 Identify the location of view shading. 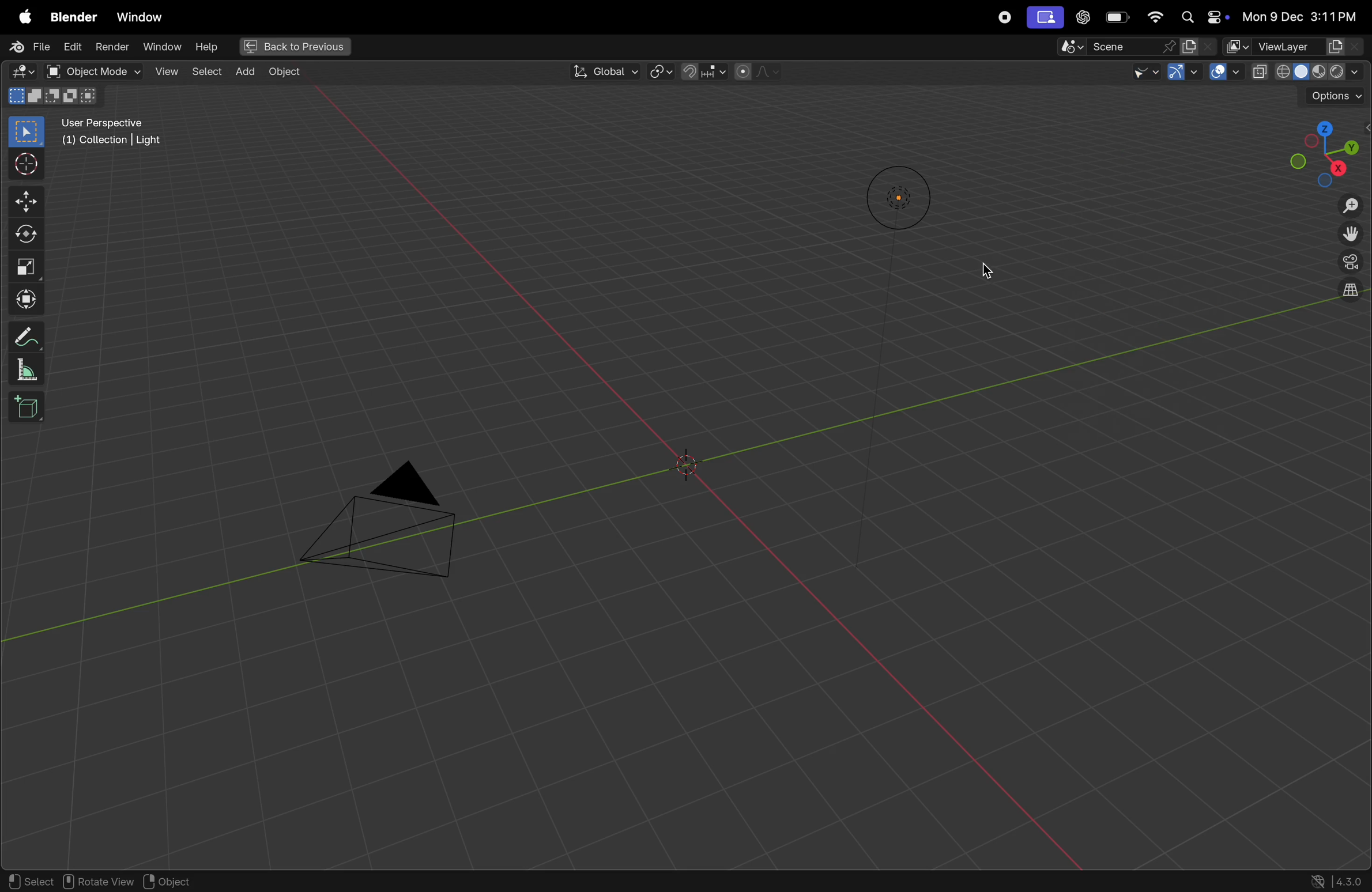
(1308, 72).